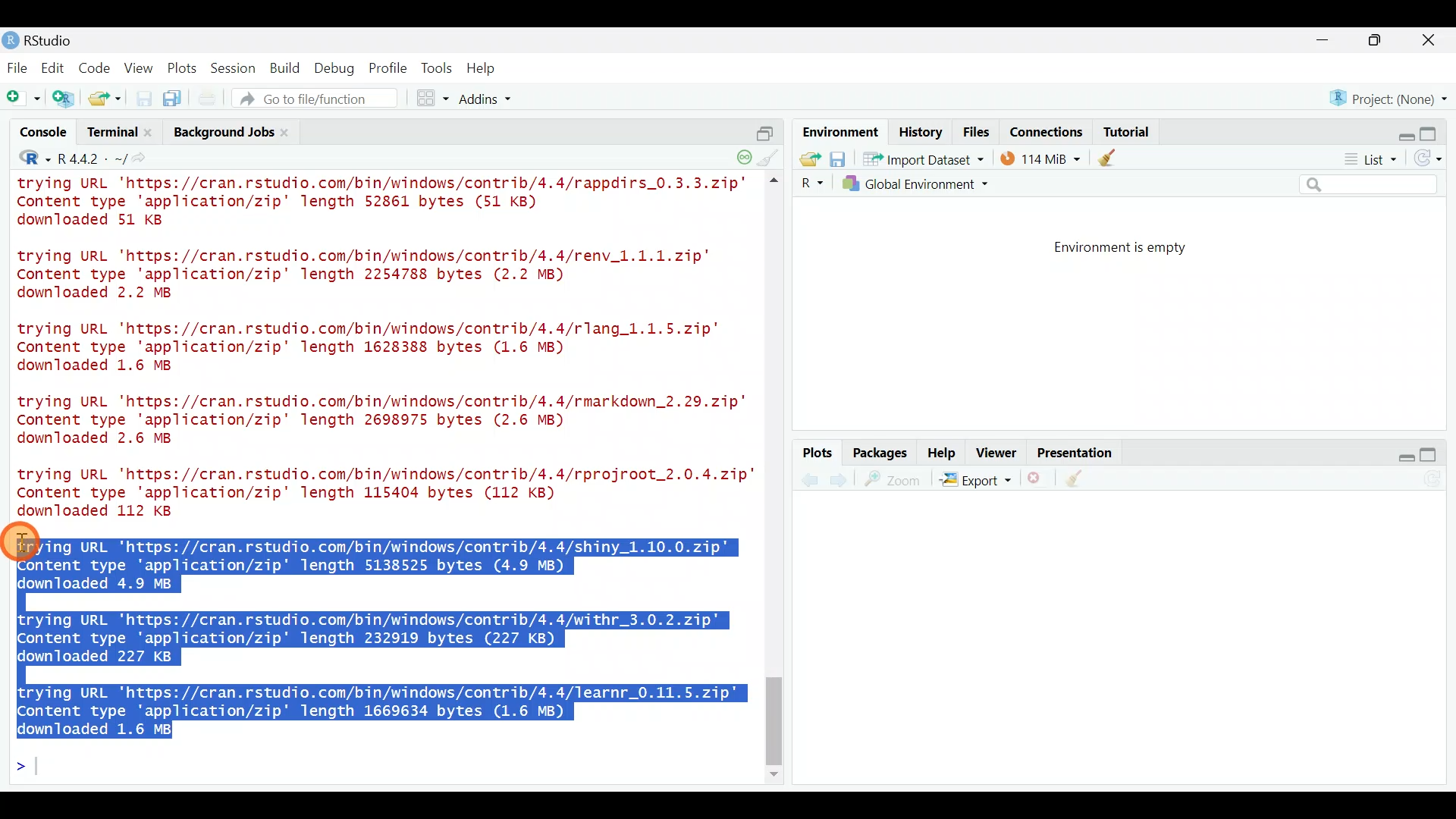 The height and width of the screenshot is (819, 1456). What do you see at coordinates (333, 69) in the screenshot?
I see `Debug` at bounding box center [333, 69].